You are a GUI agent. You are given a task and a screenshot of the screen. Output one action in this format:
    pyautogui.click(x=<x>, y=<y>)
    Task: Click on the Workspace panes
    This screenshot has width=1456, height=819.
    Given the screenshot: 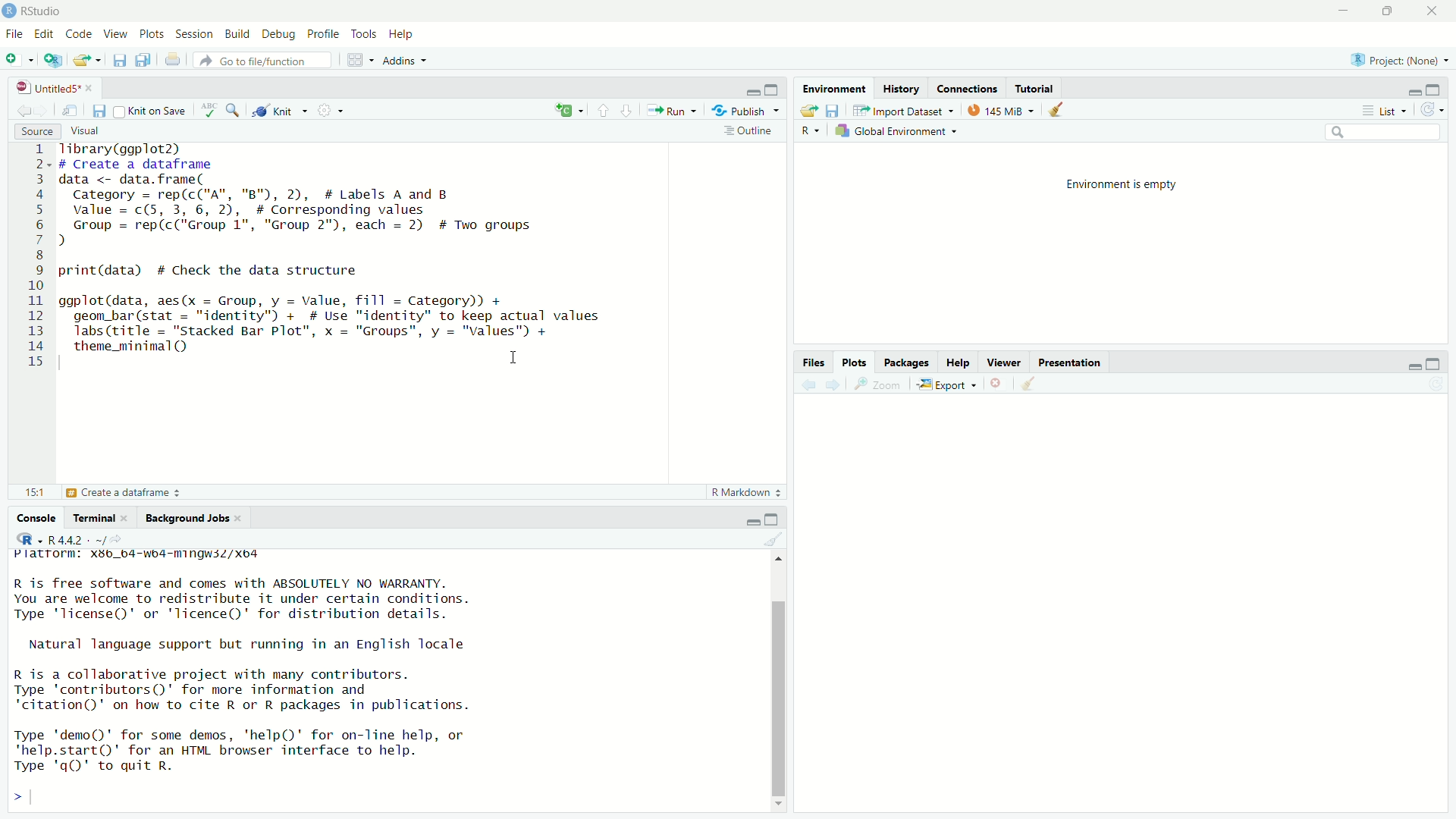 What is the action you would take?
    pyautogui.click(x=357, y=60)
    